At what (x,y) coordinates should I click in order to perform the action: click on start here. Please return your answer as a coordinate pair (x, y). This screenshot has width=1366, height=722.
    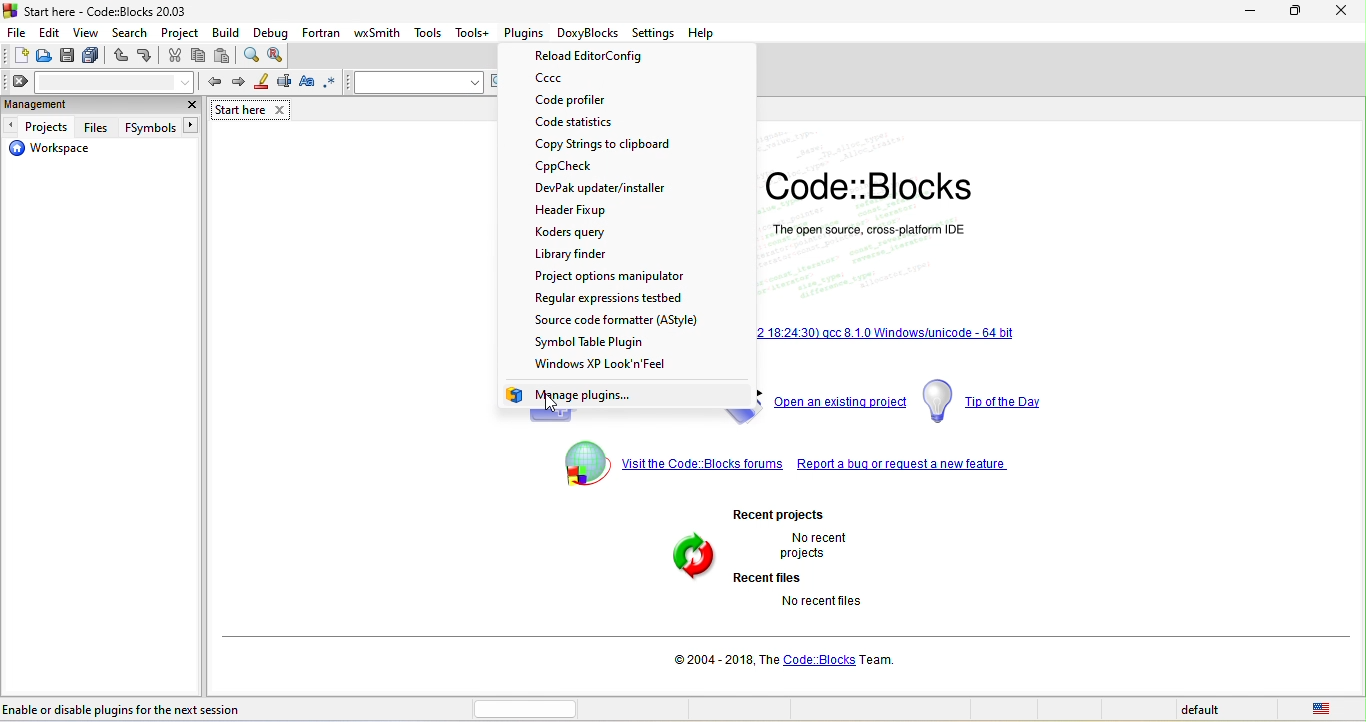
    Looking at the image, I should click on (254, 110).